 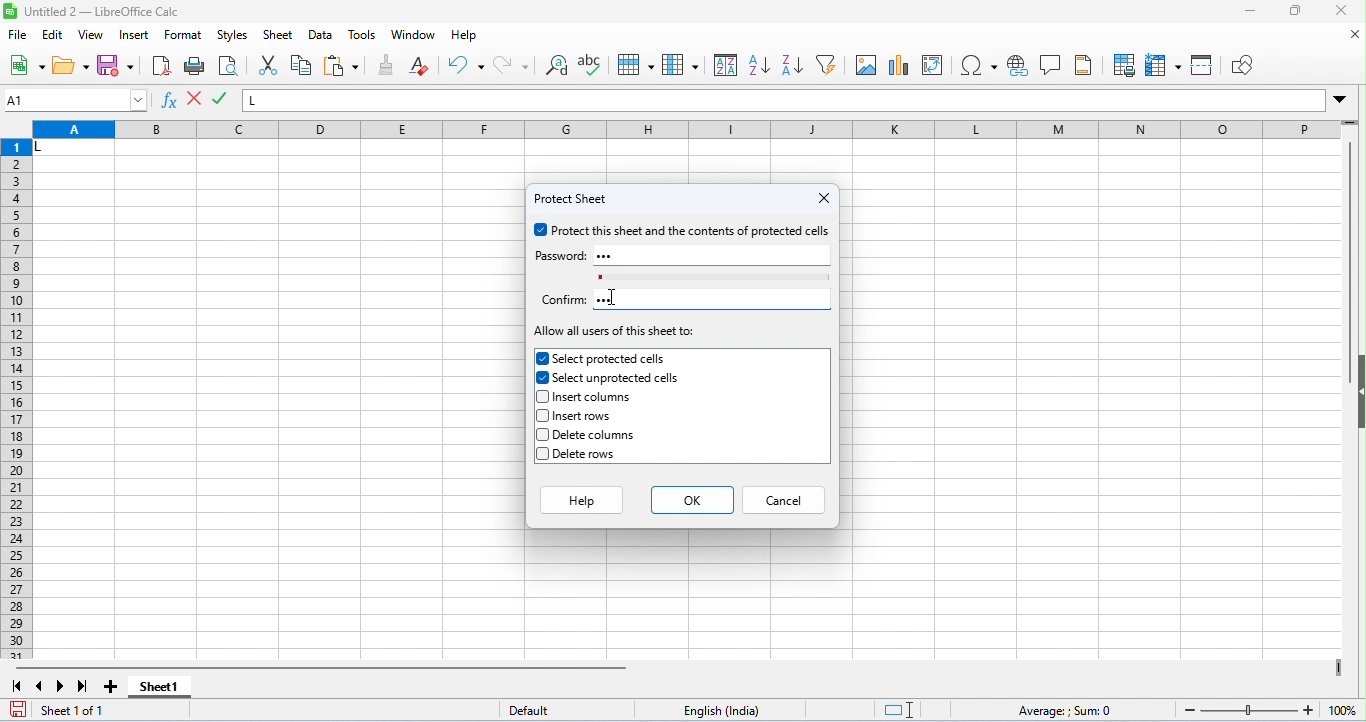 I want to click on open, so click(x=71, y=66).